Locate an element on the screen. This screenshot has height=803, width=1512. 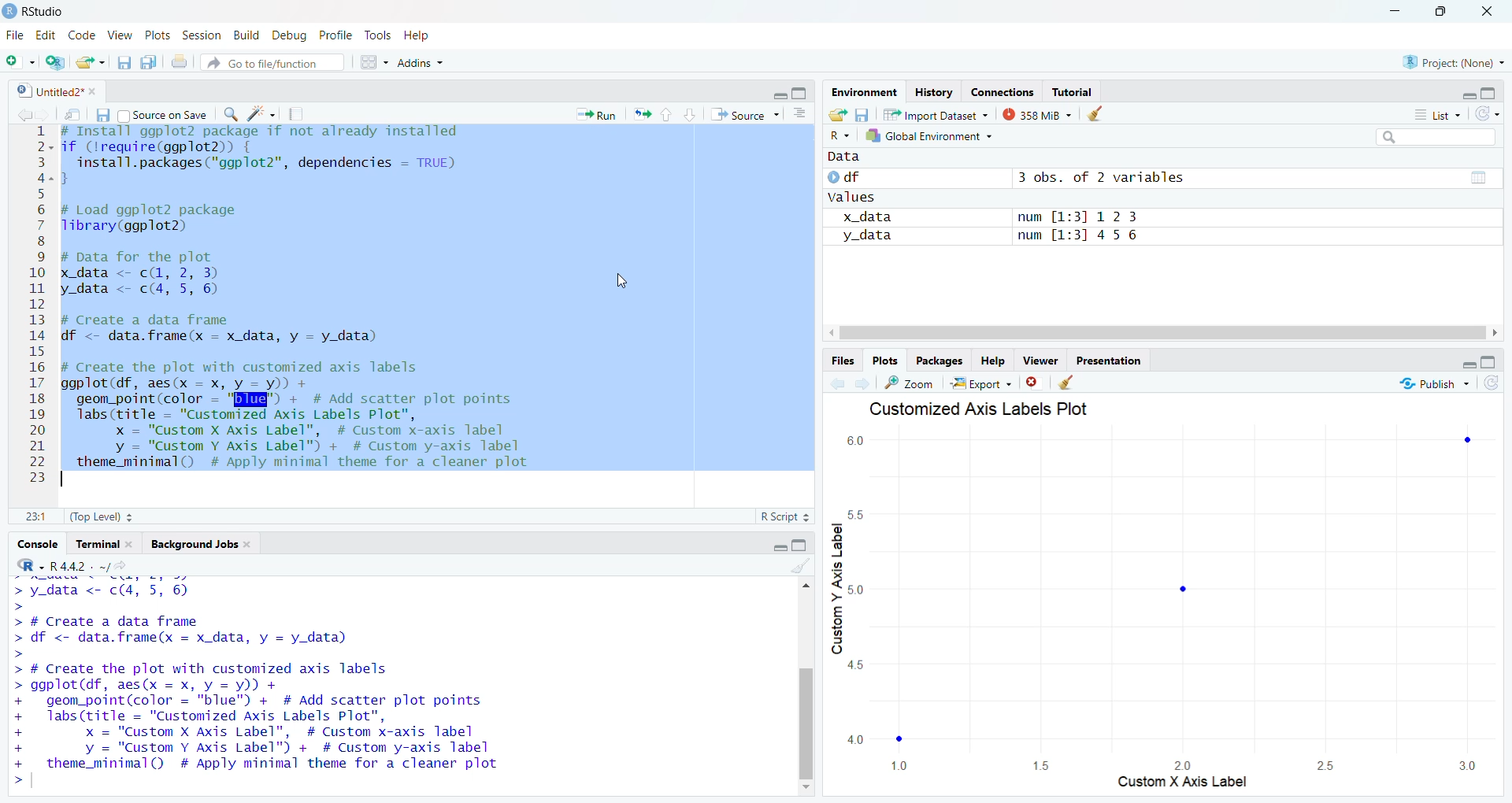
Help is located at coordinates (994, 361).